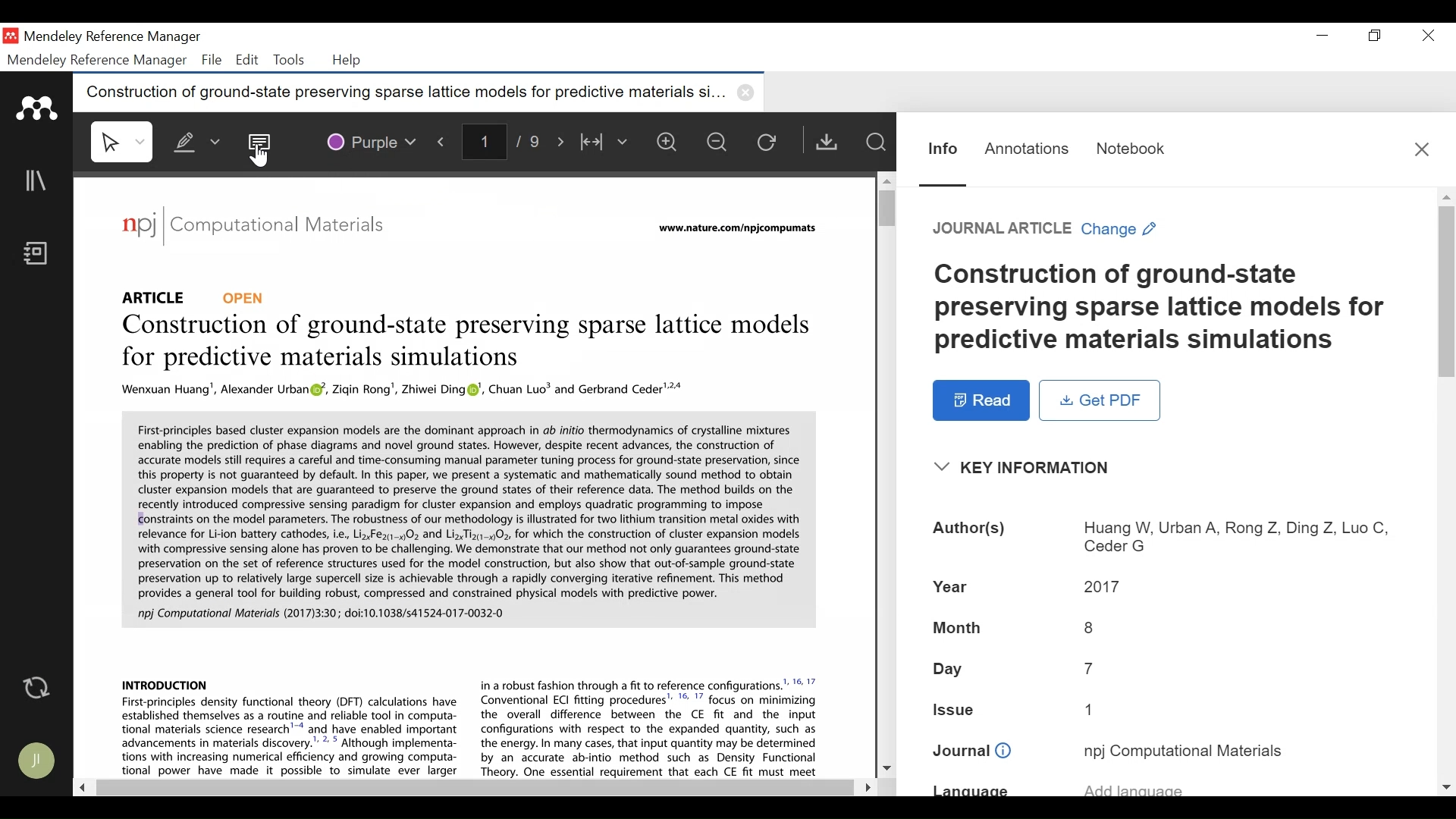 This screenshot has height=819, width=1456. What do you see at coordinates (121, 142) in the screenshot?
I see `Select` at bounding box center [121, 142].